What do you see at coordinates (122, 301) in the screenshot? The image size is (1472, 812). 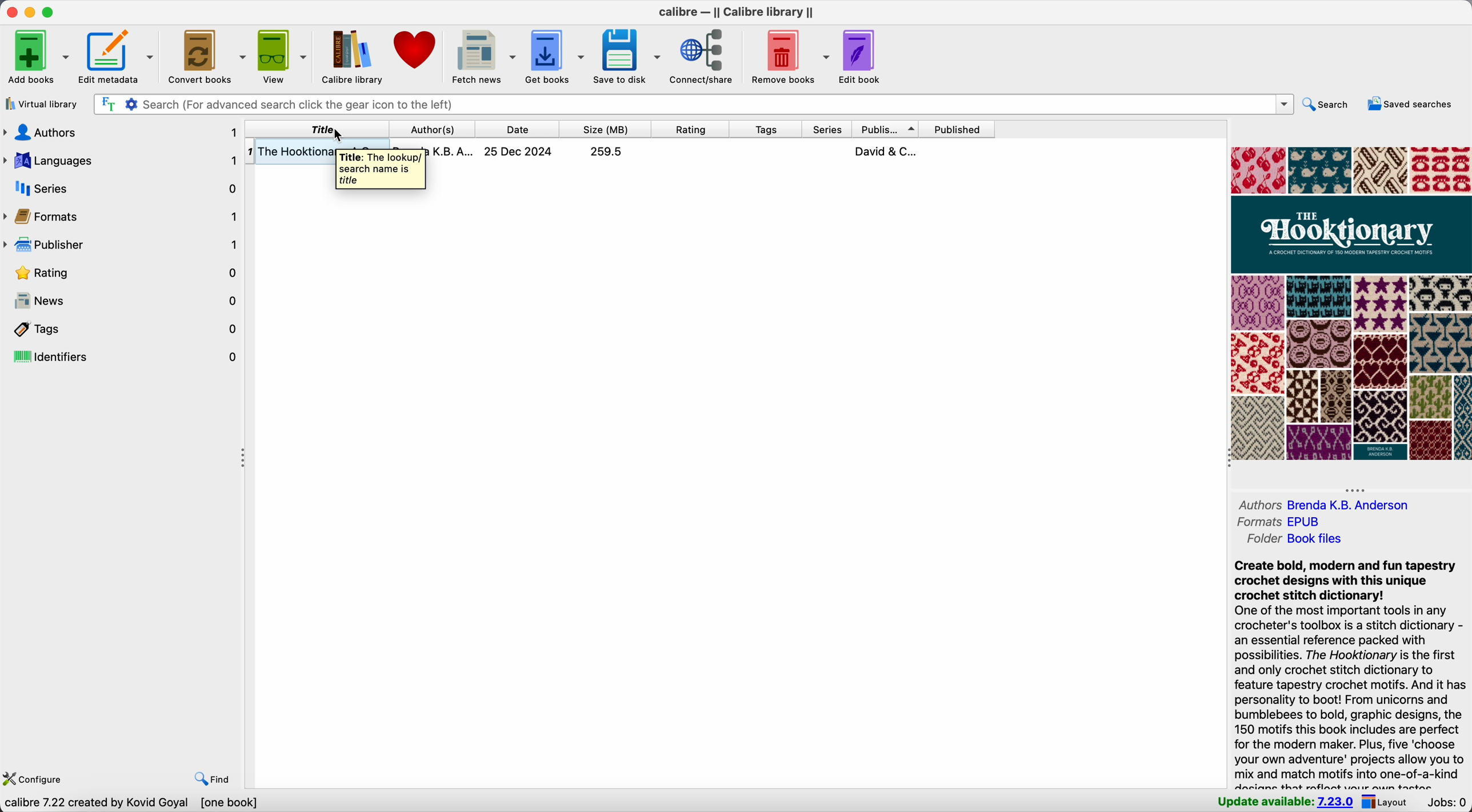 I see `news` at bounding box center [122, 301].